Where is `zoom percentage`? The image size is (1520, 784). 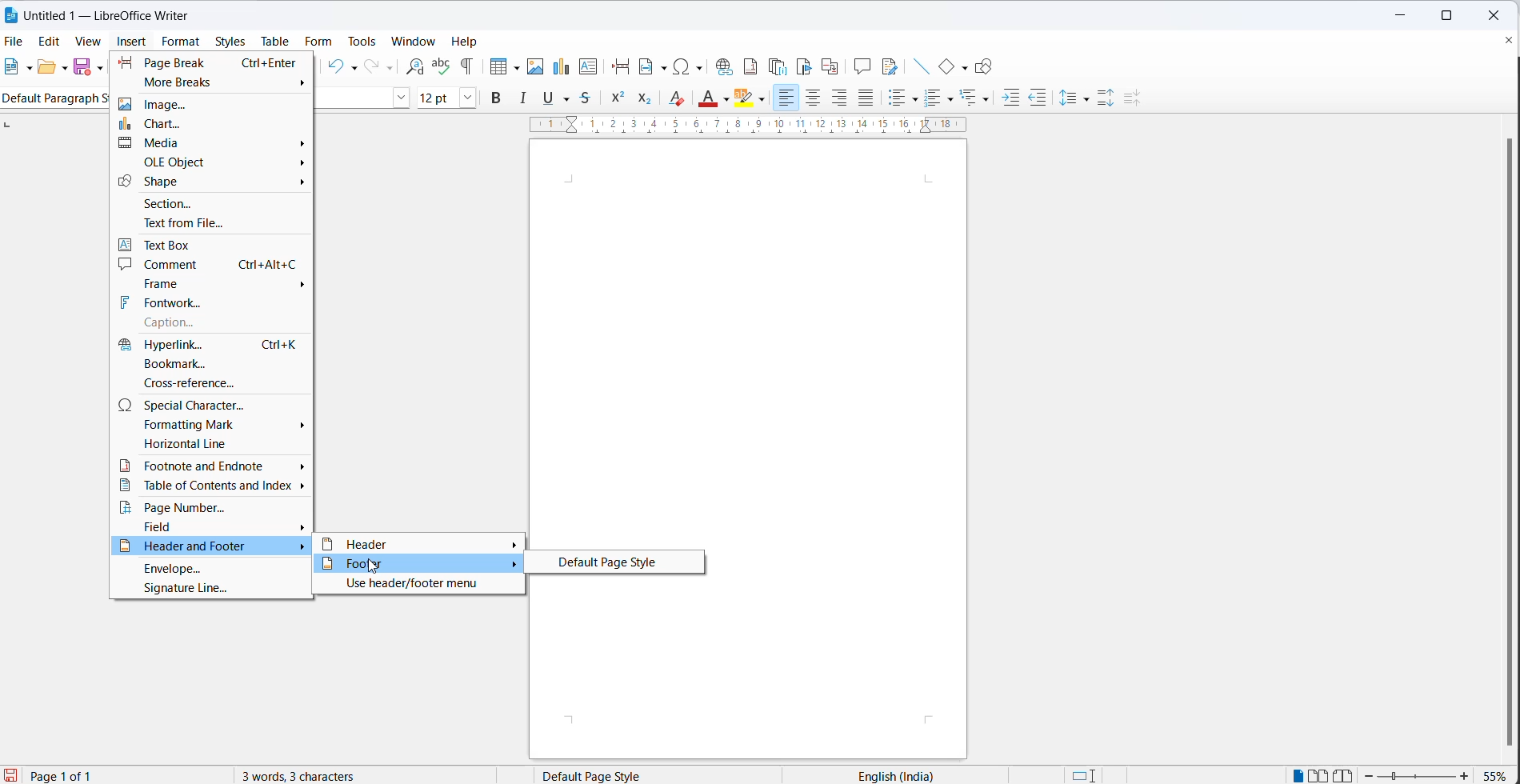
zoom percentage is located at coordinates (1498, 774).